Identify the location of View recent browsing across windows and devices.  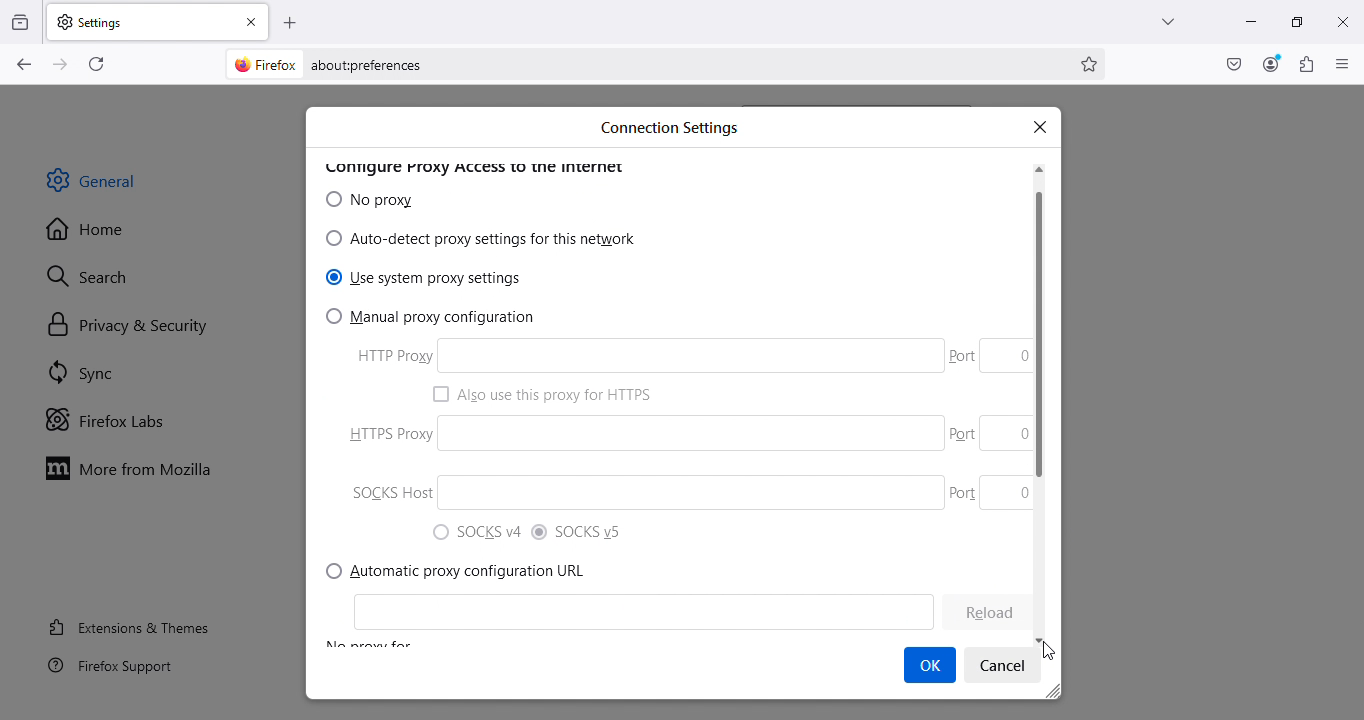
(22, 20).